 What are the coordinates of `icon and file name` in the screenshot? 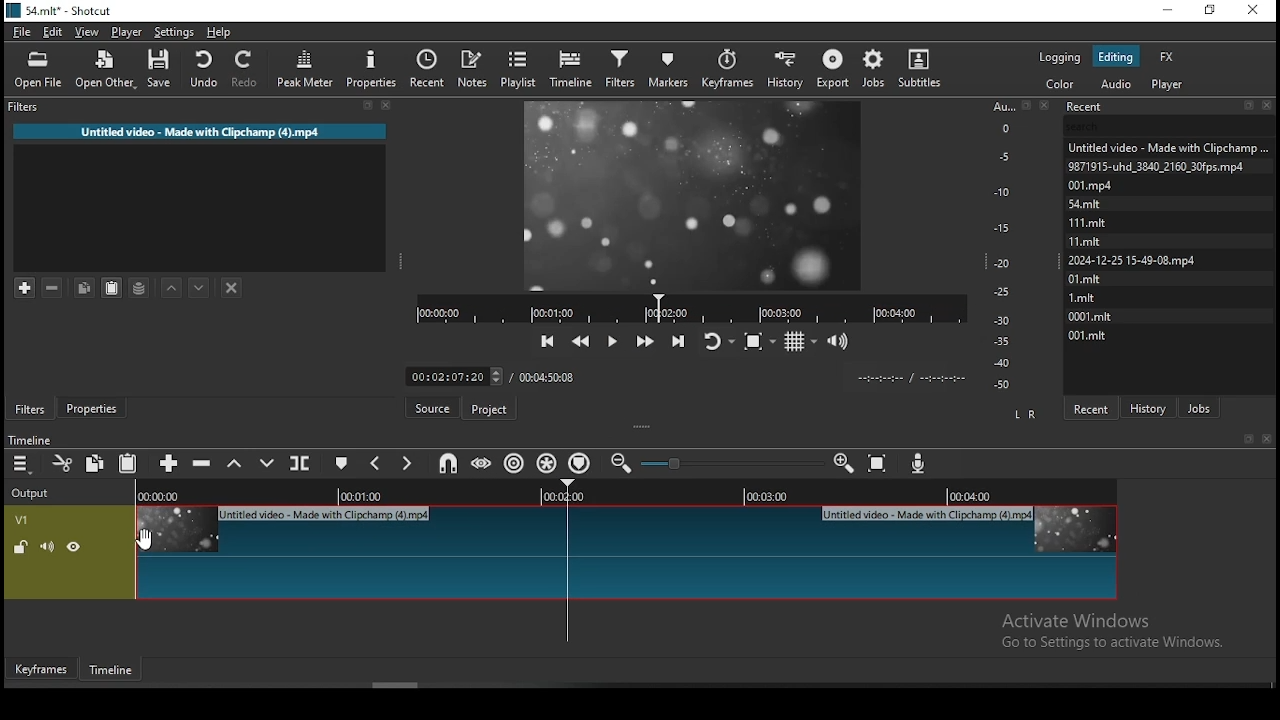 It's located at (63, 11).